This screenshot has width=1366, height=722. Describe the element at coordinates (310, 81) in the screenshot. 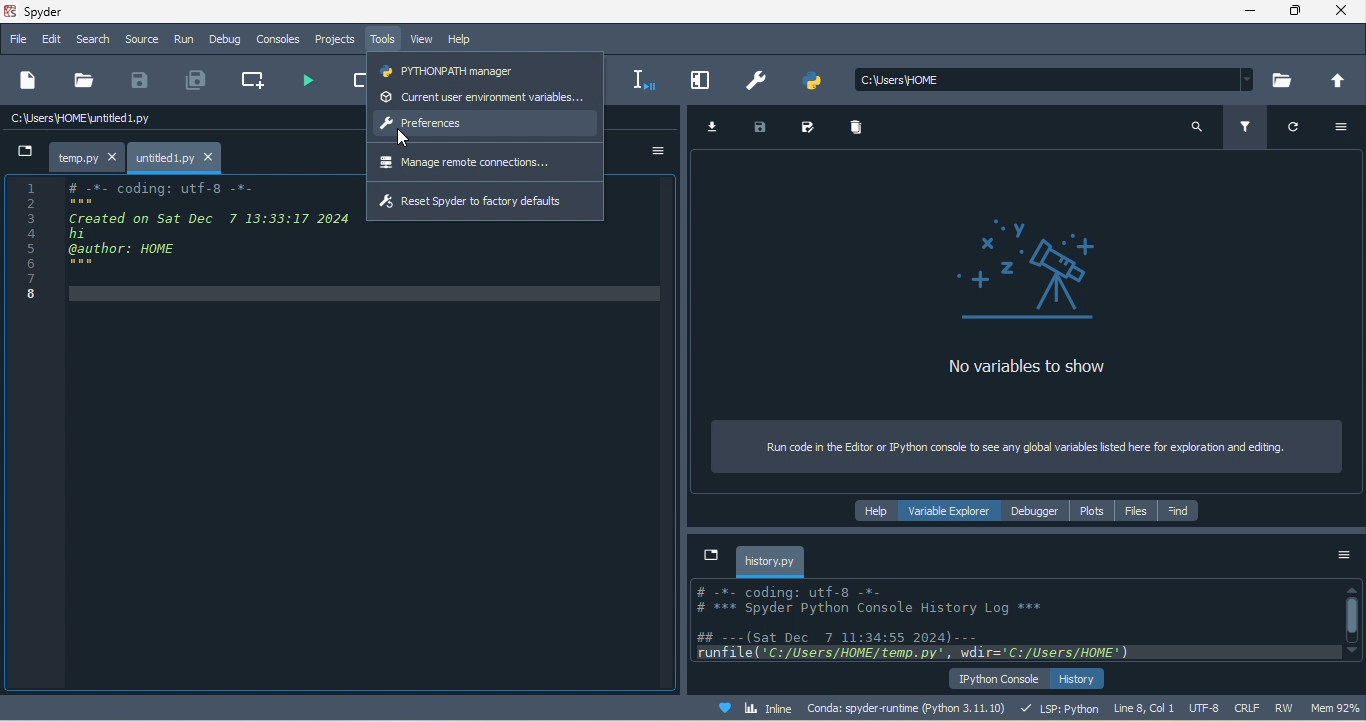

I see `run file` at that location.